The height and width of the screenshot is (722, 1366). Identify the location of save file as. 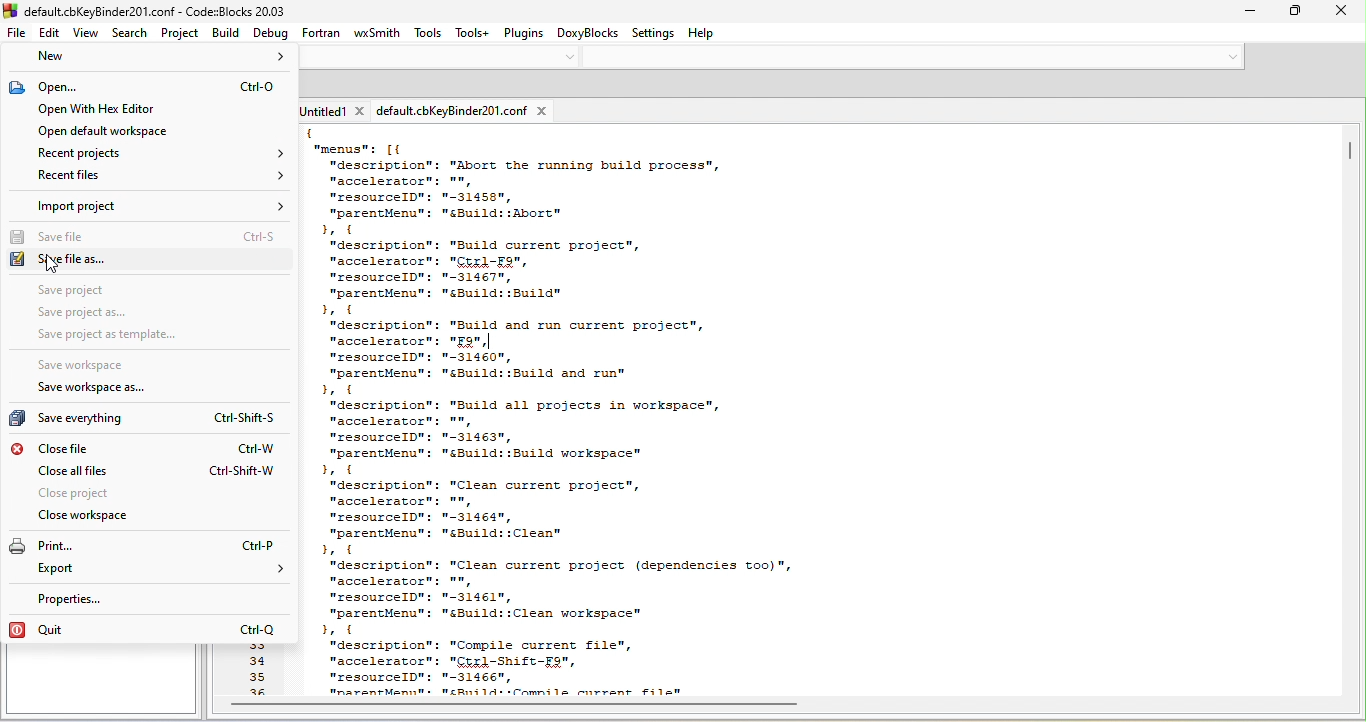
(102, 260).